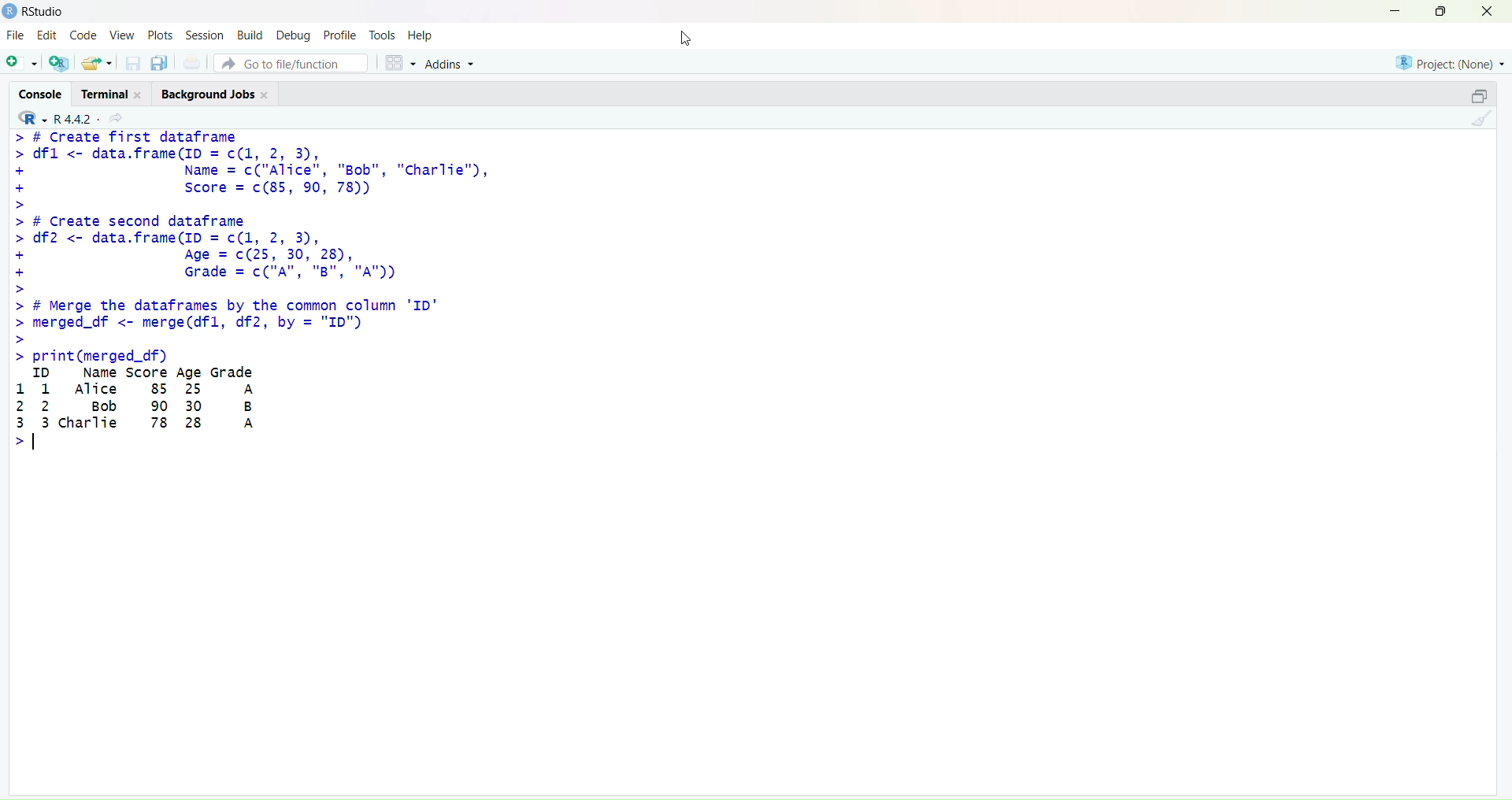 This screenshot has height=800, width=1512. What do you see at coordinates (123, 35) in the screenshot?
I see `View` at bounding box center [123, 35].